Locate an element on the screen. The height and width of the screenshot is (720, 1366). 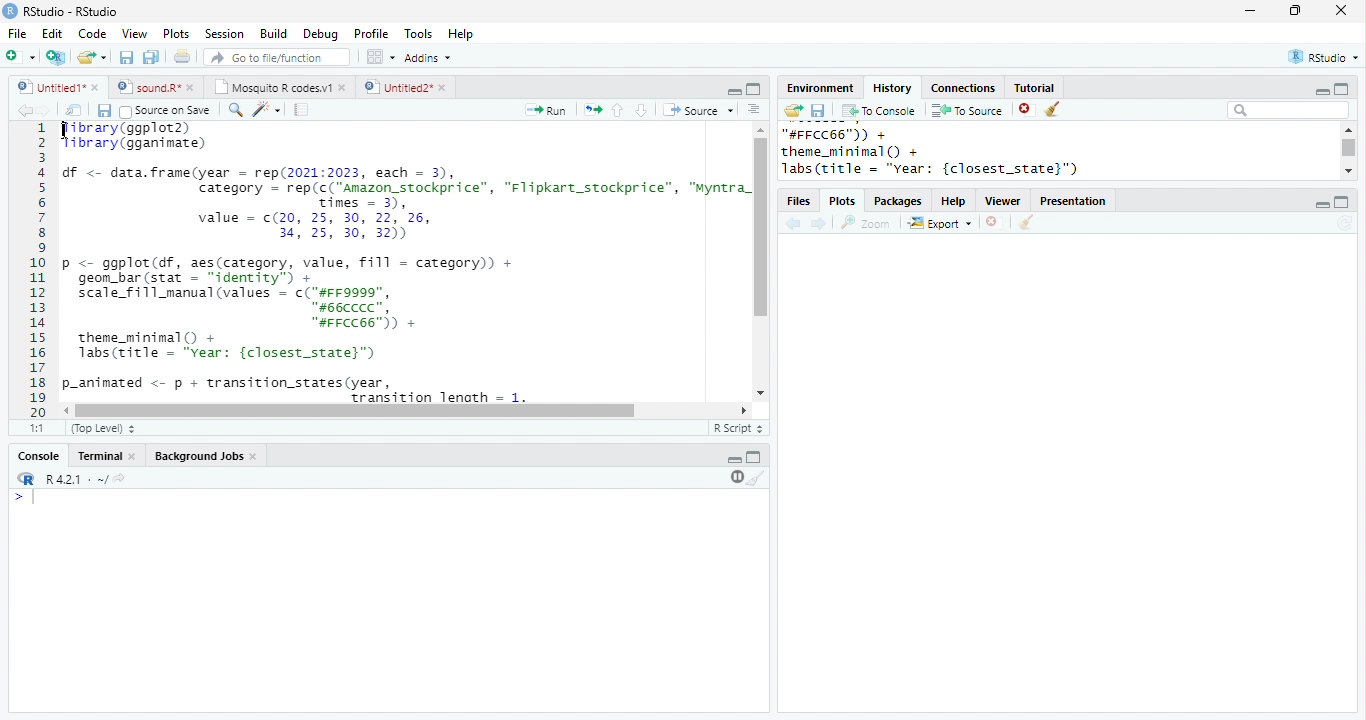
sound.R is located at coordinates (147, 88).